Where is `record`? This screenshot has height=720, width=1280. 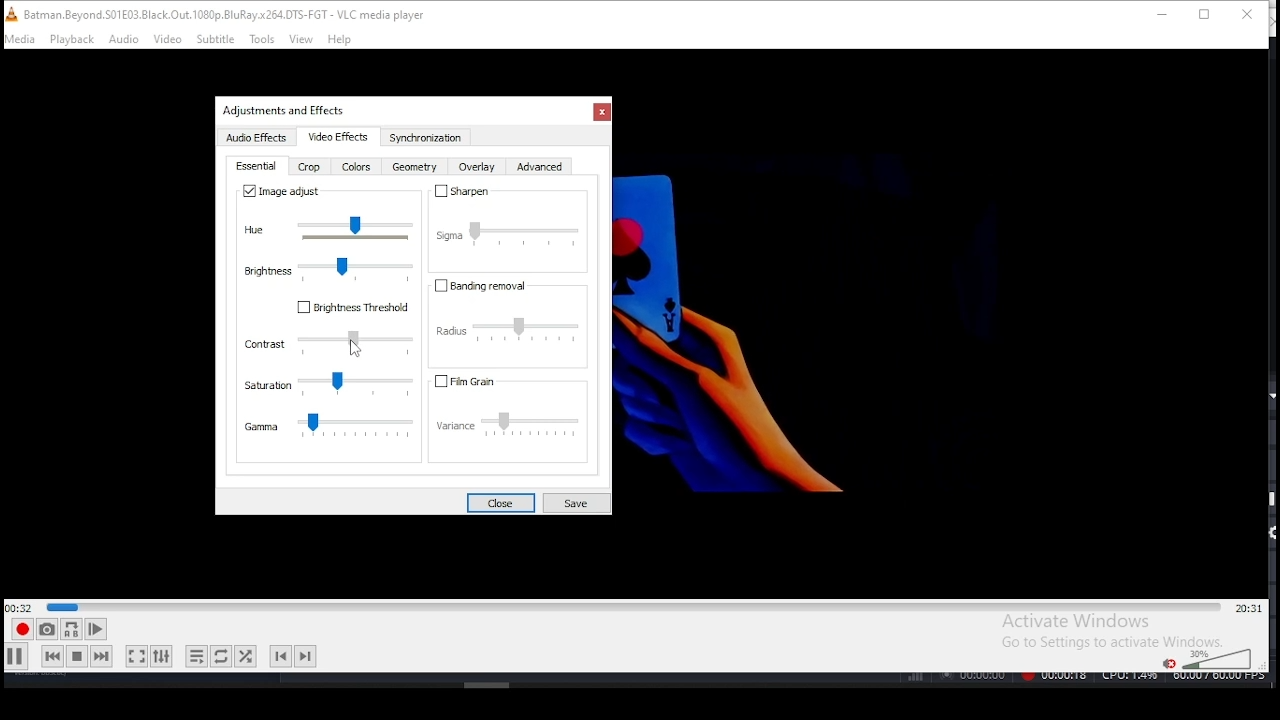
record is located at coordinates (21, 630).